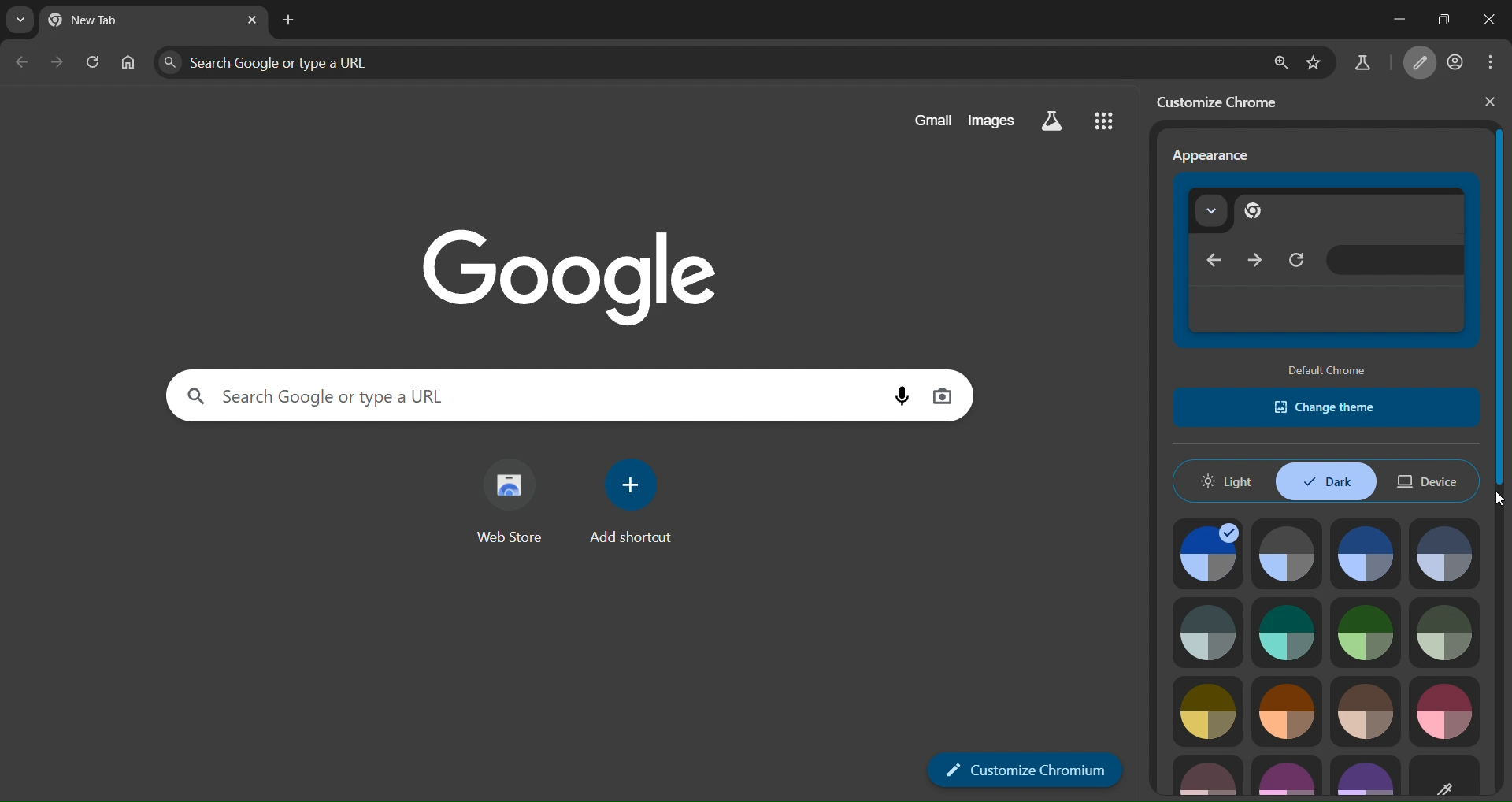 The width and height of the screenshot is (1512, 802). Describe the element at coordinates (20, 64) in the screenshot. I see `go back one page` at that location.